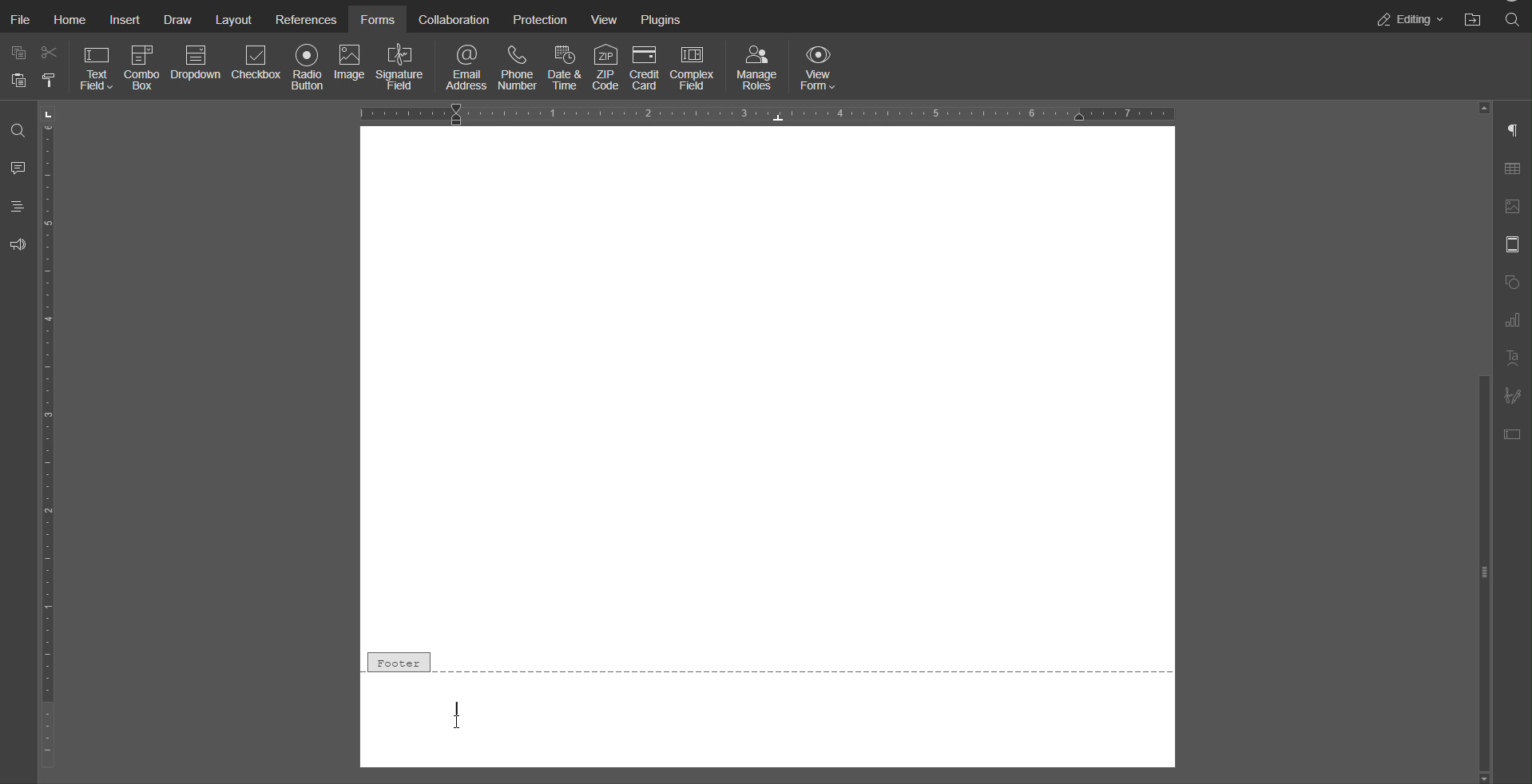 This screenshot has width=1532, height=784. I want to click on Headings, so click(18, 206).